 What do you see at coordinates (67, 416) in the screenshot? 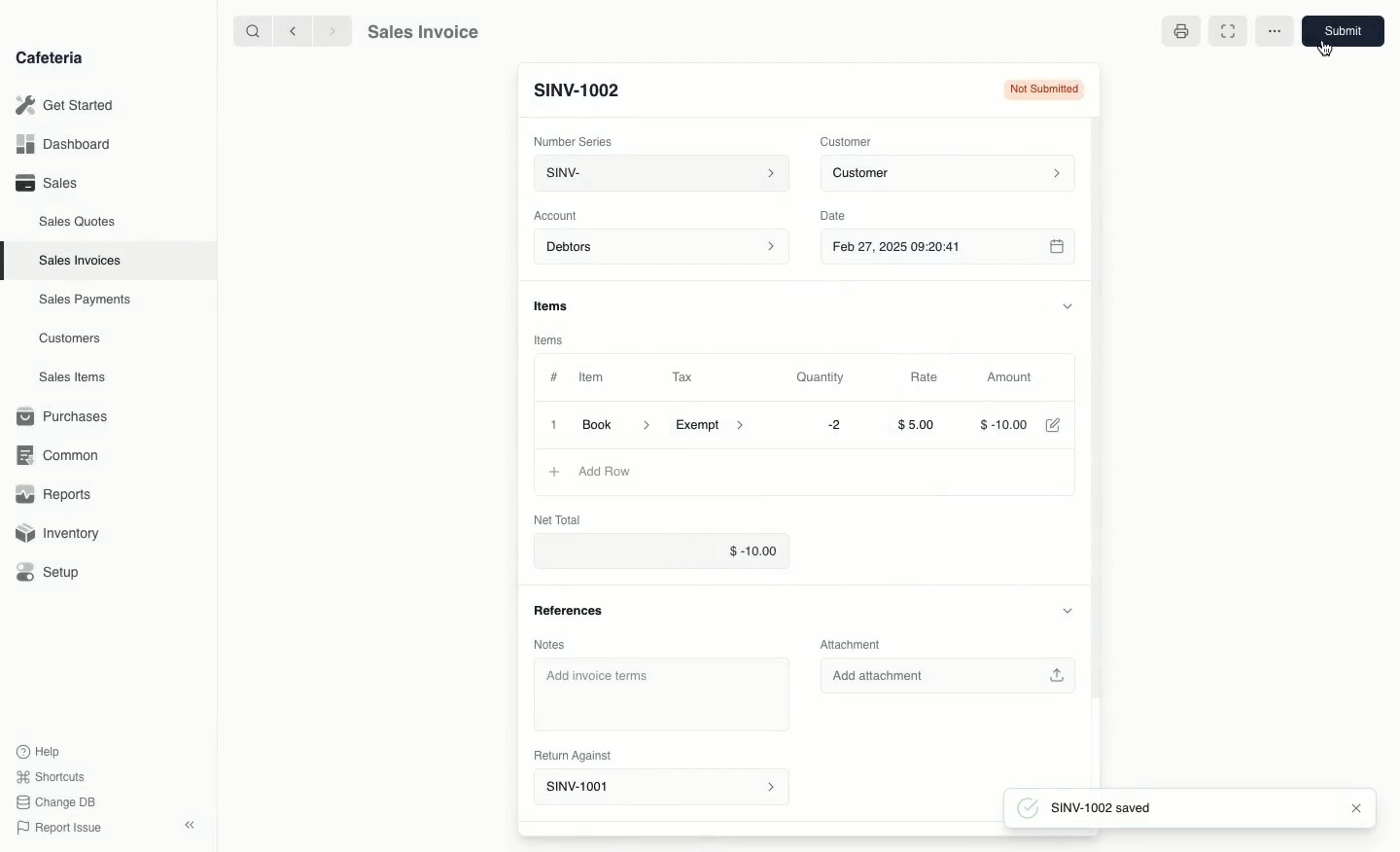
I see `Purchases` at bounding box center [67, 416].